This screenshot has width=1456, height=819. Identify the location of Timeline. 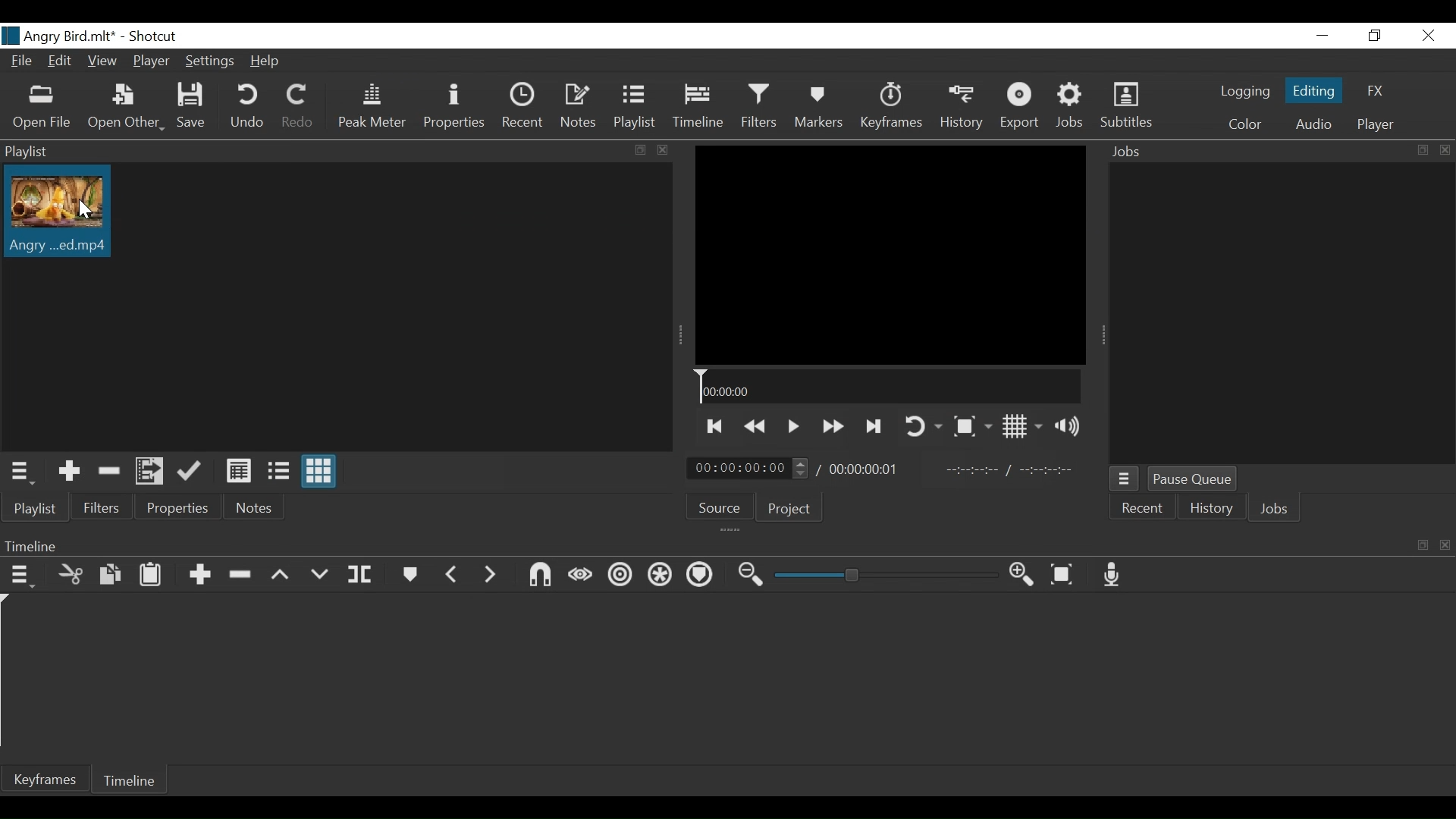
(130, 780).